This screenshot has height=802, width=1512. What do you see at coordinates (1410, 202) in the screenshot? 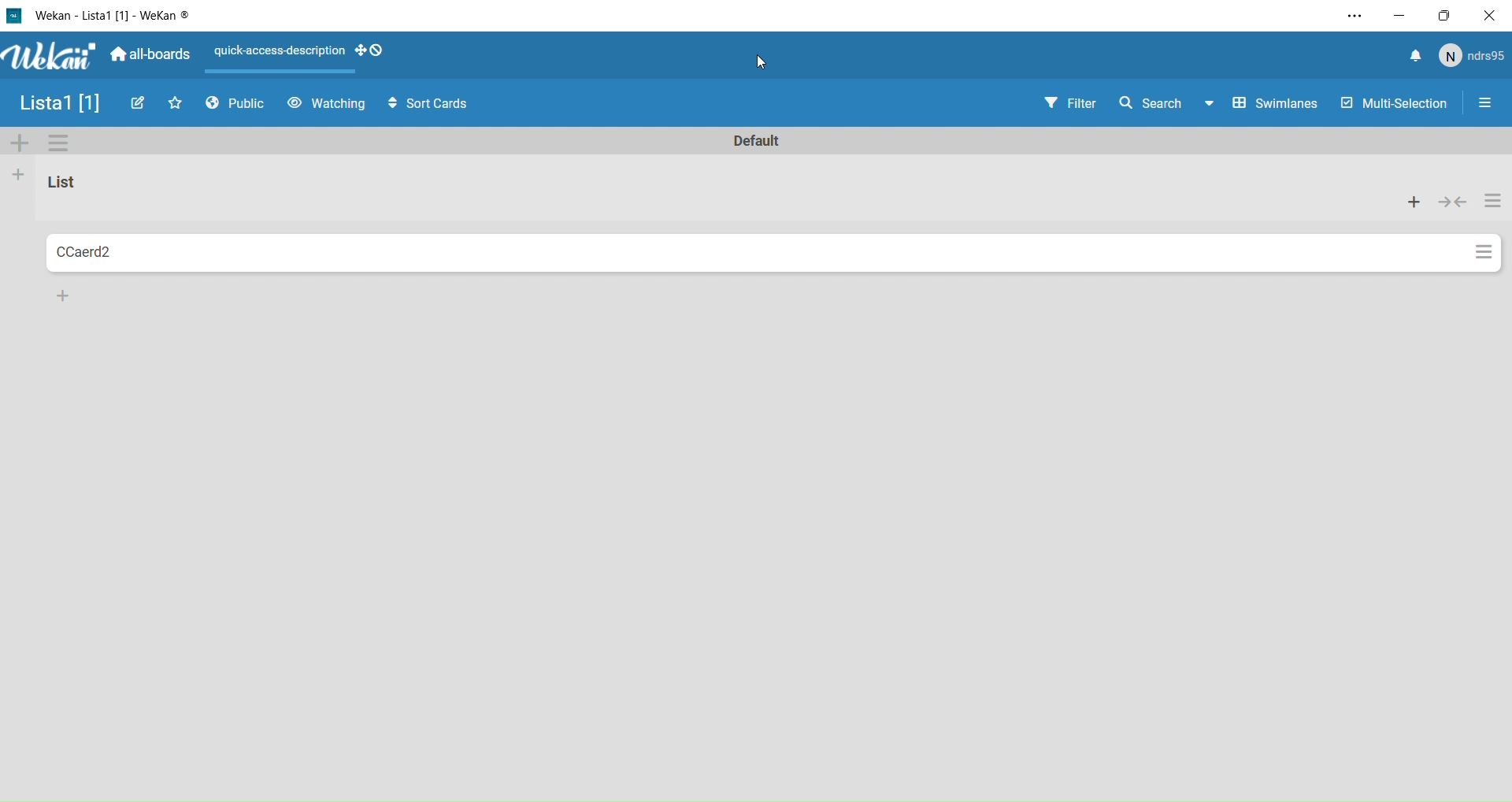
I see `Actions` at bounding box center [1410, 202].